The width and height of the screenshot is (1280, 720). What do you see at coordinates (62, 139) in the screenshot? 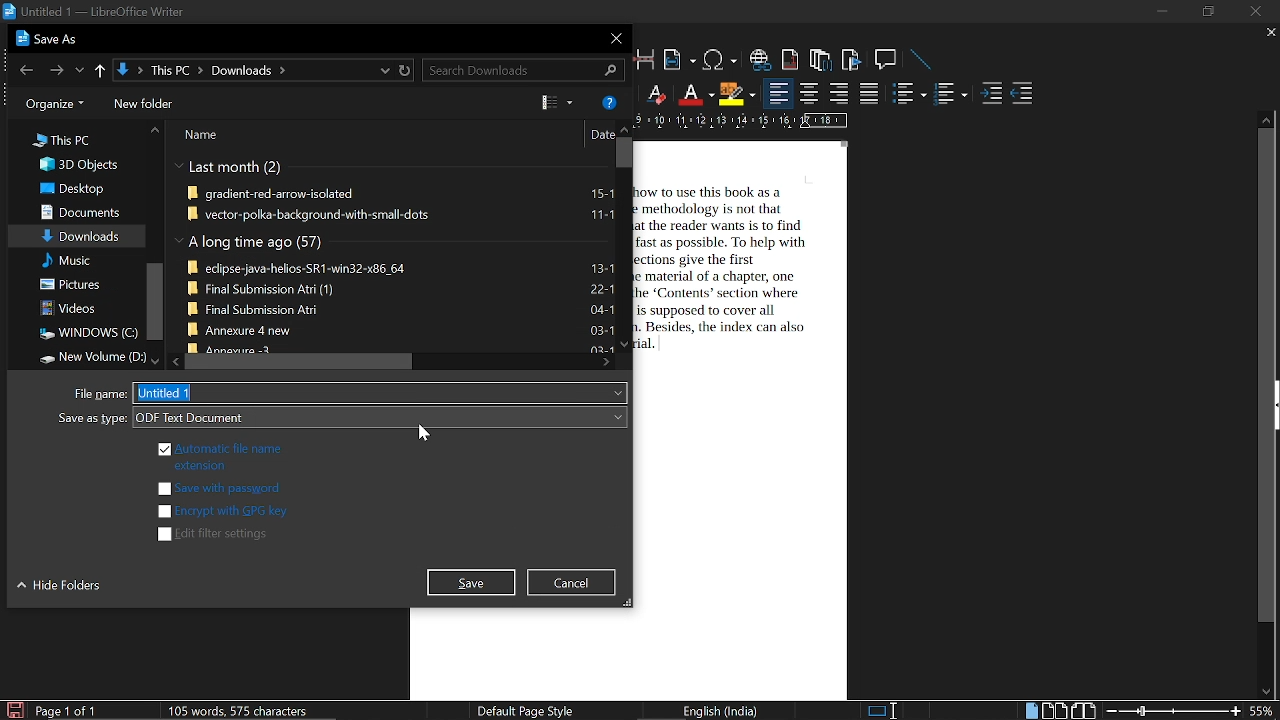
I see `This PC` at bounding box center [62, 139].